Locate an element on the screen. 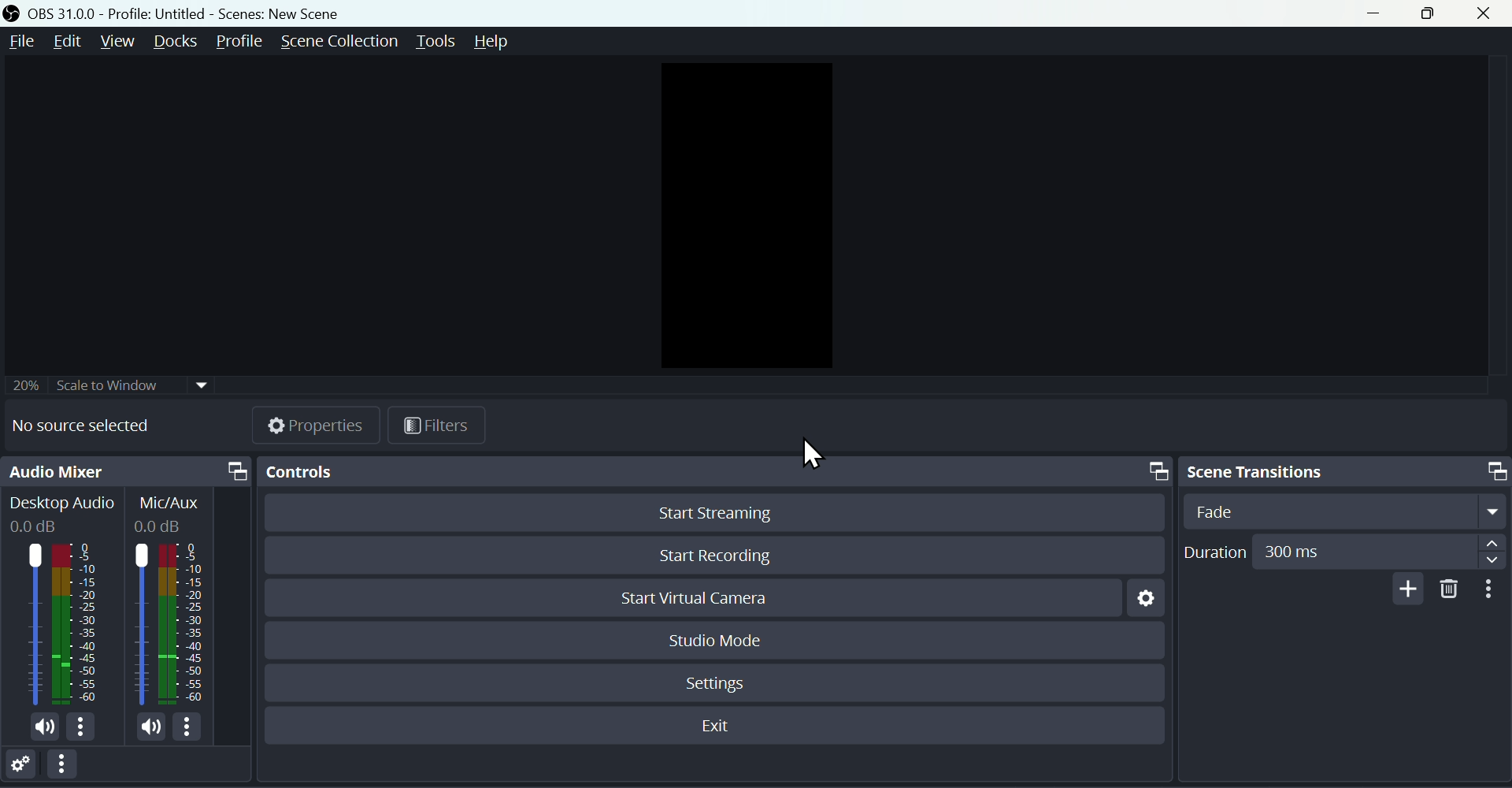 This screenshot has height=788, width=1512. delete is located at coordinates (1450, 589).